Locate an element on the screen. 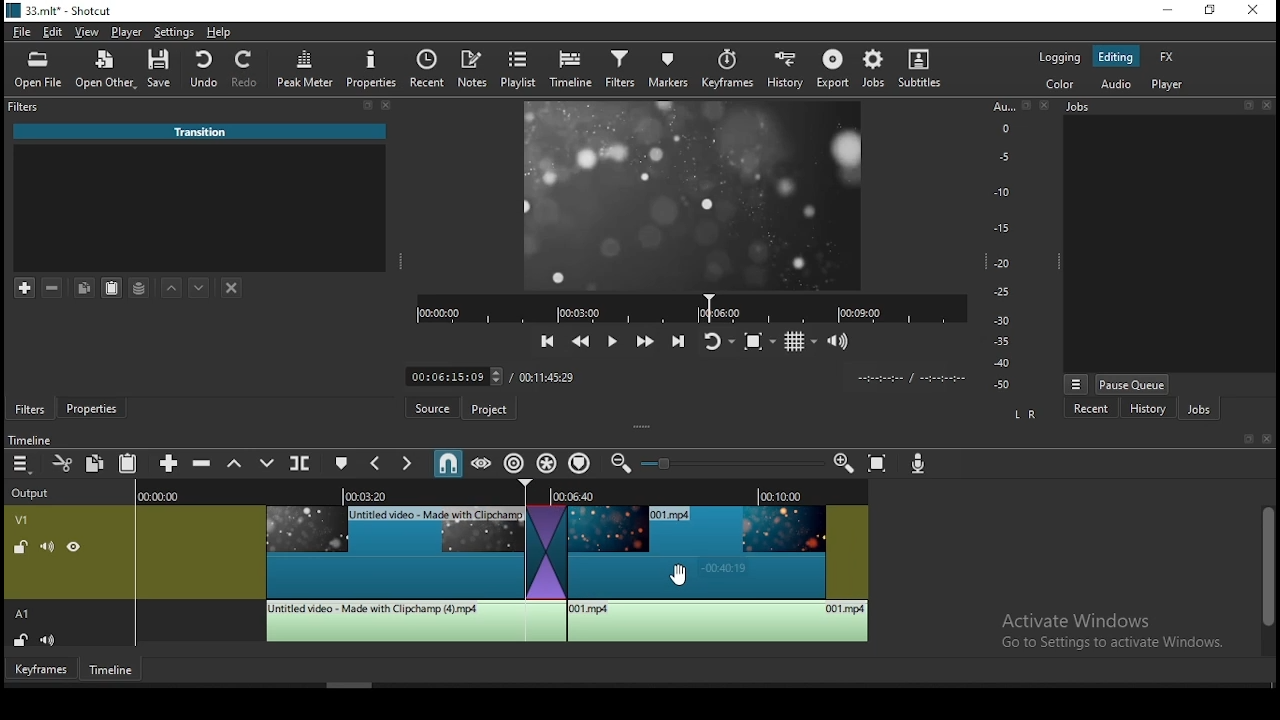  notes is located at coordinates (469, 67).